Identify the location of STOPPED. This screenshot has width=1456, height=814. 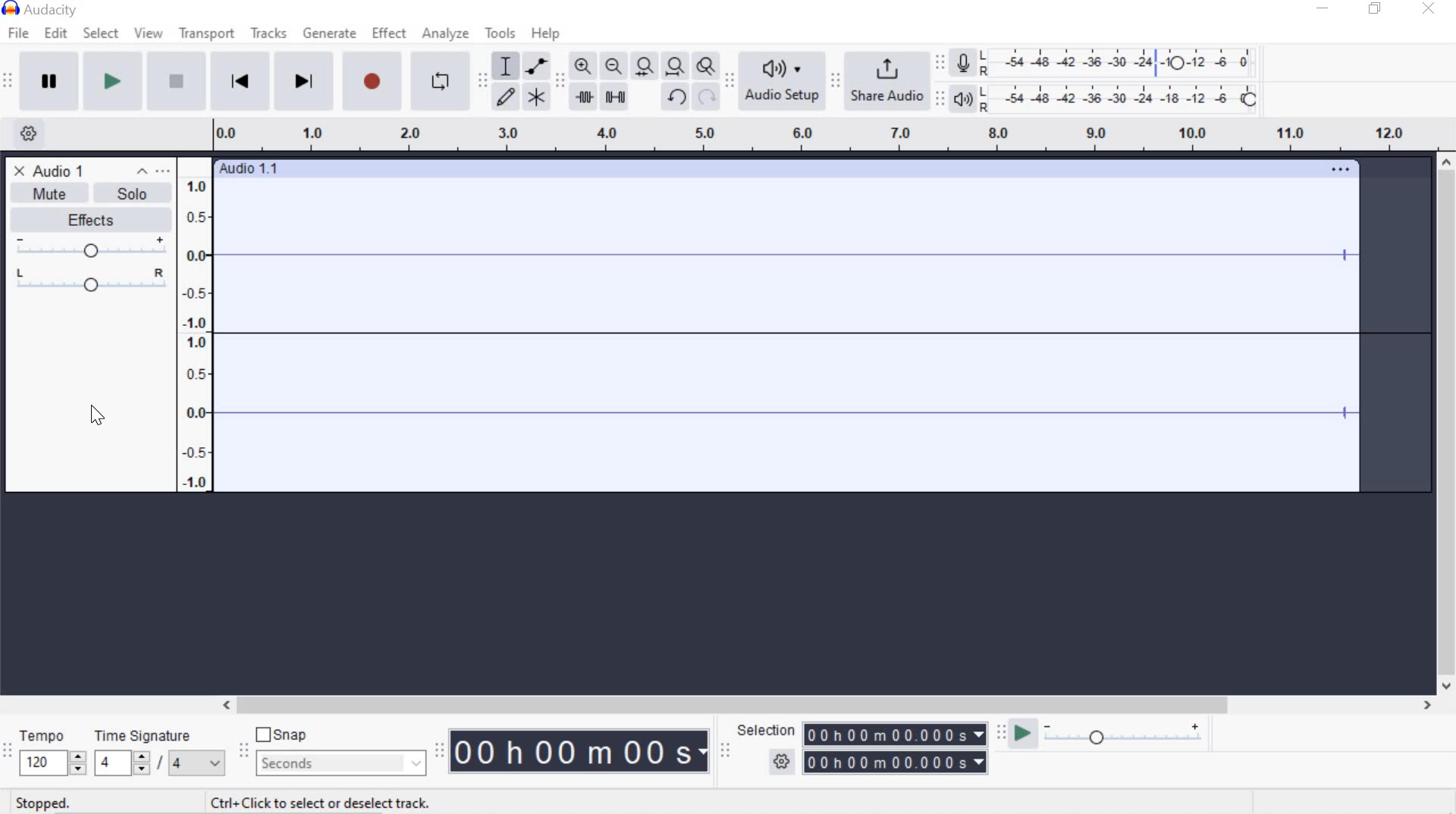
(42, 803).